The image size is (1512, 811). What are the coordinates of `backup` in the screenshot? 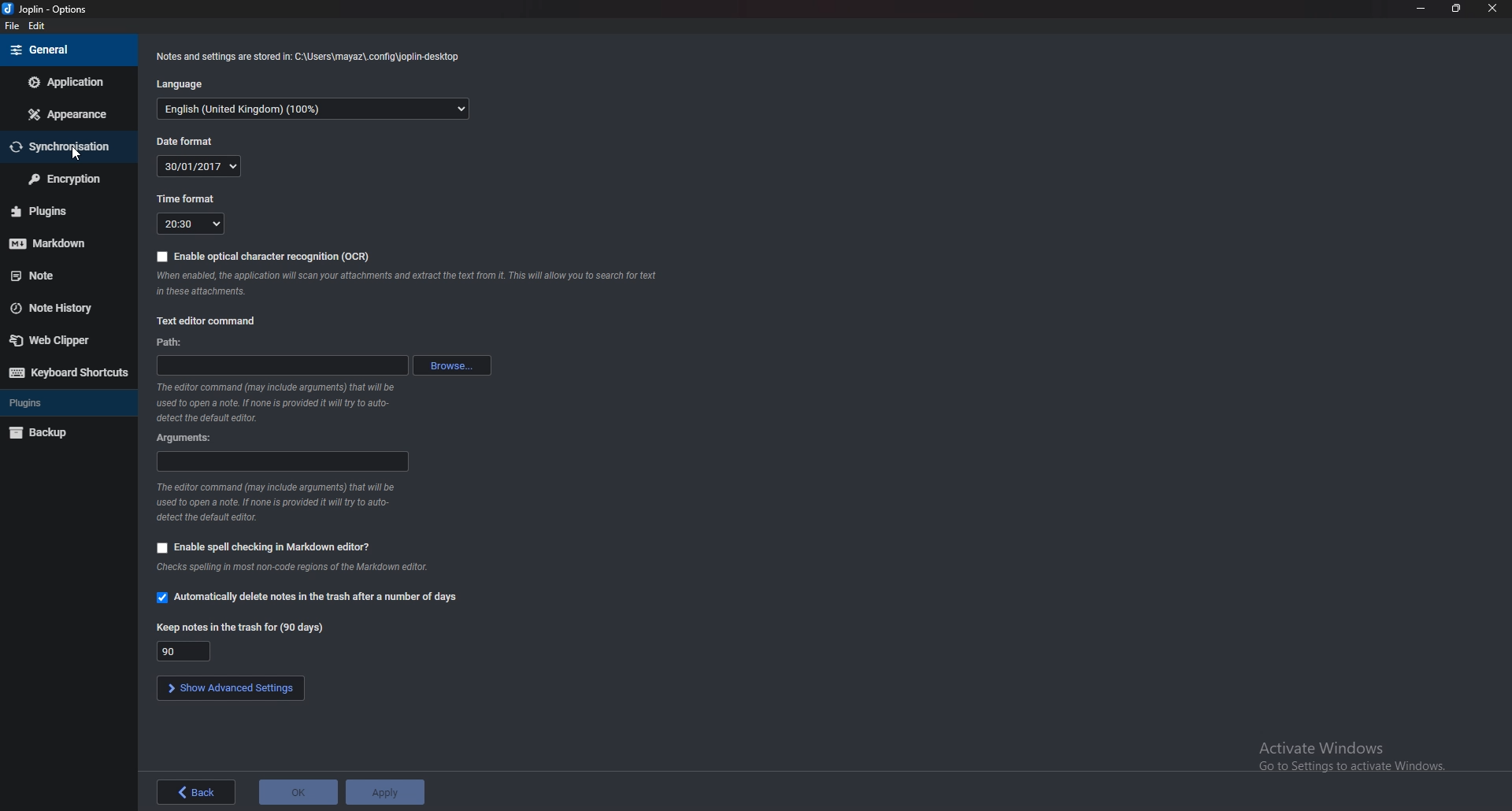 It's located at (58, 434).